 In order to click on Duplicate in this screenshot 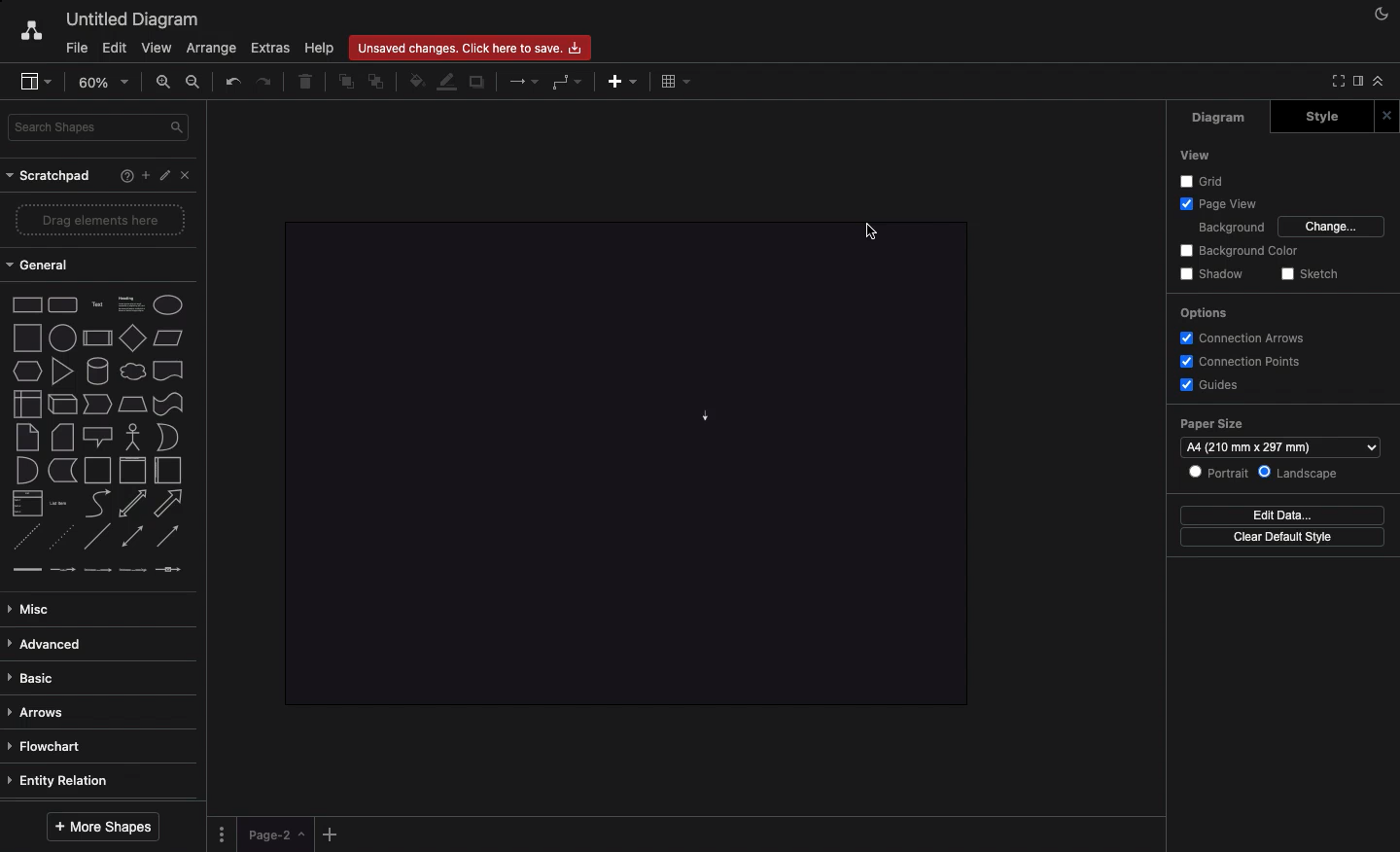, I will do `click(476, 84)`.